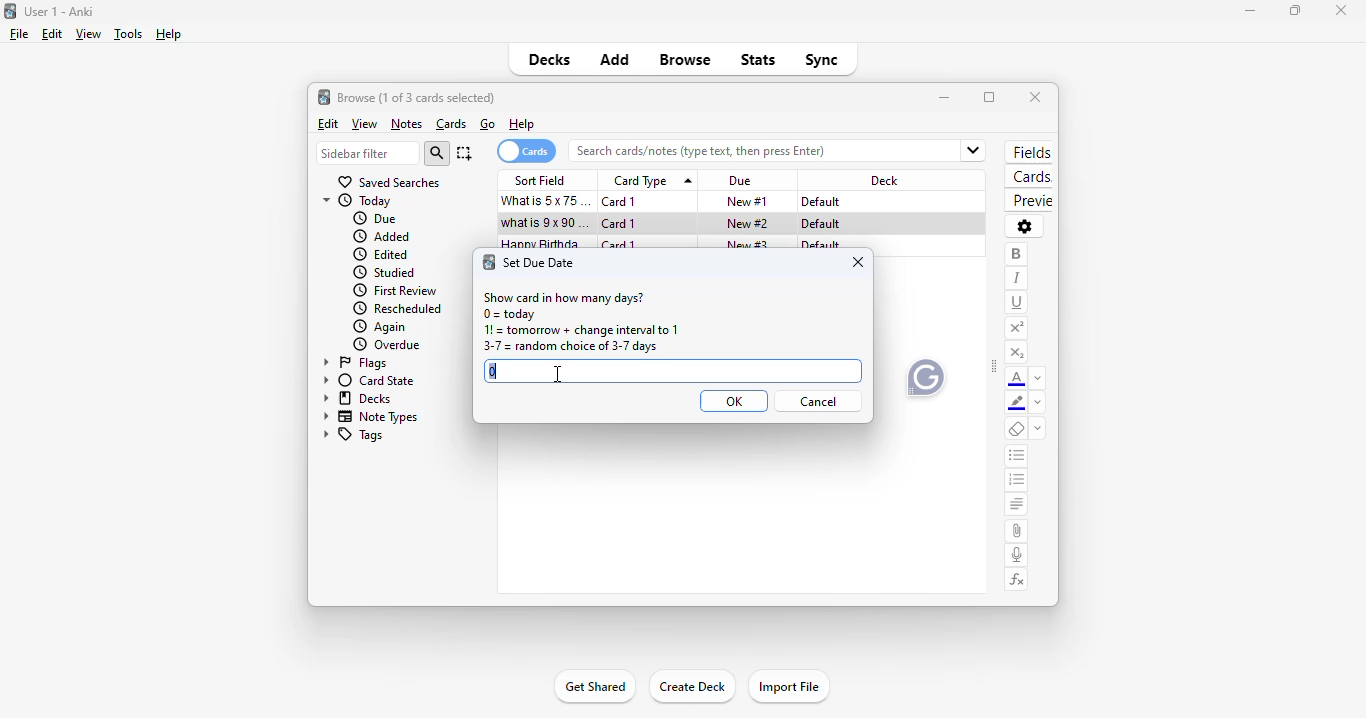  What do you see at coordinates (525, 151) in the screenshot?
I see `cards` at bounding box center [525, 151].